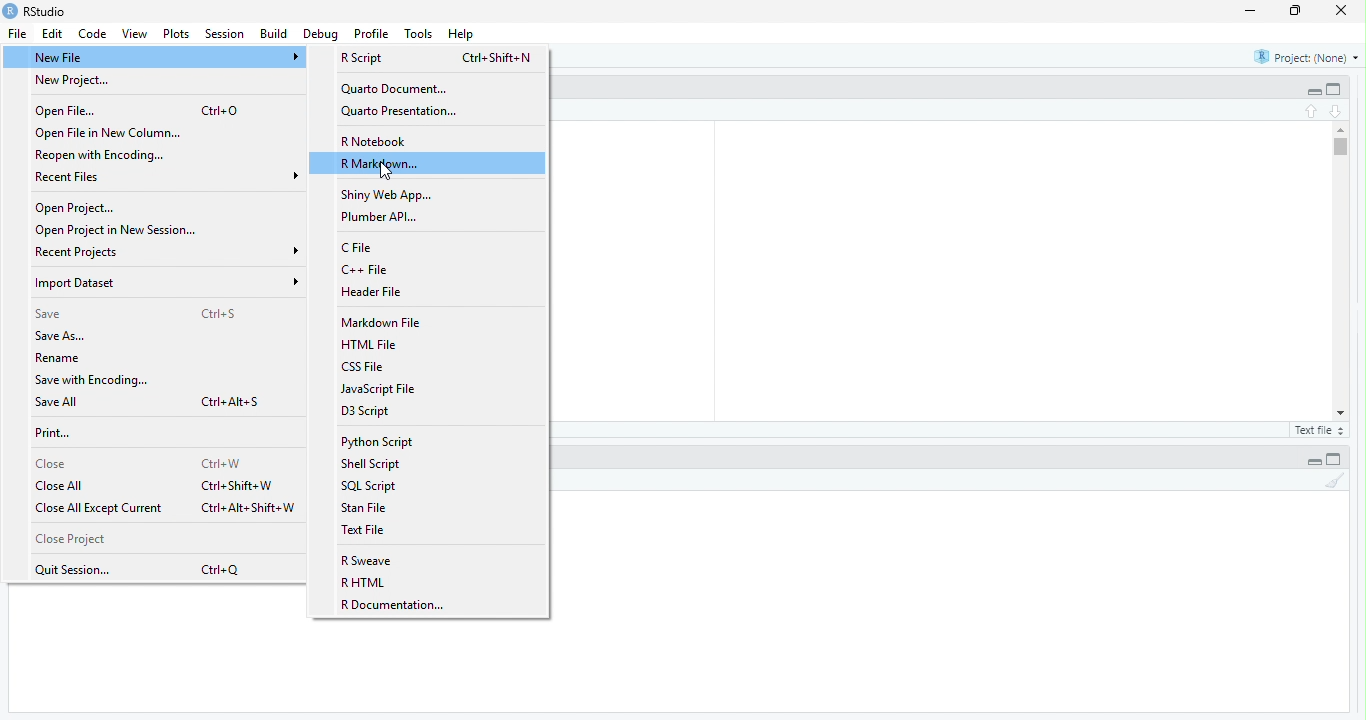 This screenshot has width=1366, height=720. I want to click on cursor, so click(387, 171).